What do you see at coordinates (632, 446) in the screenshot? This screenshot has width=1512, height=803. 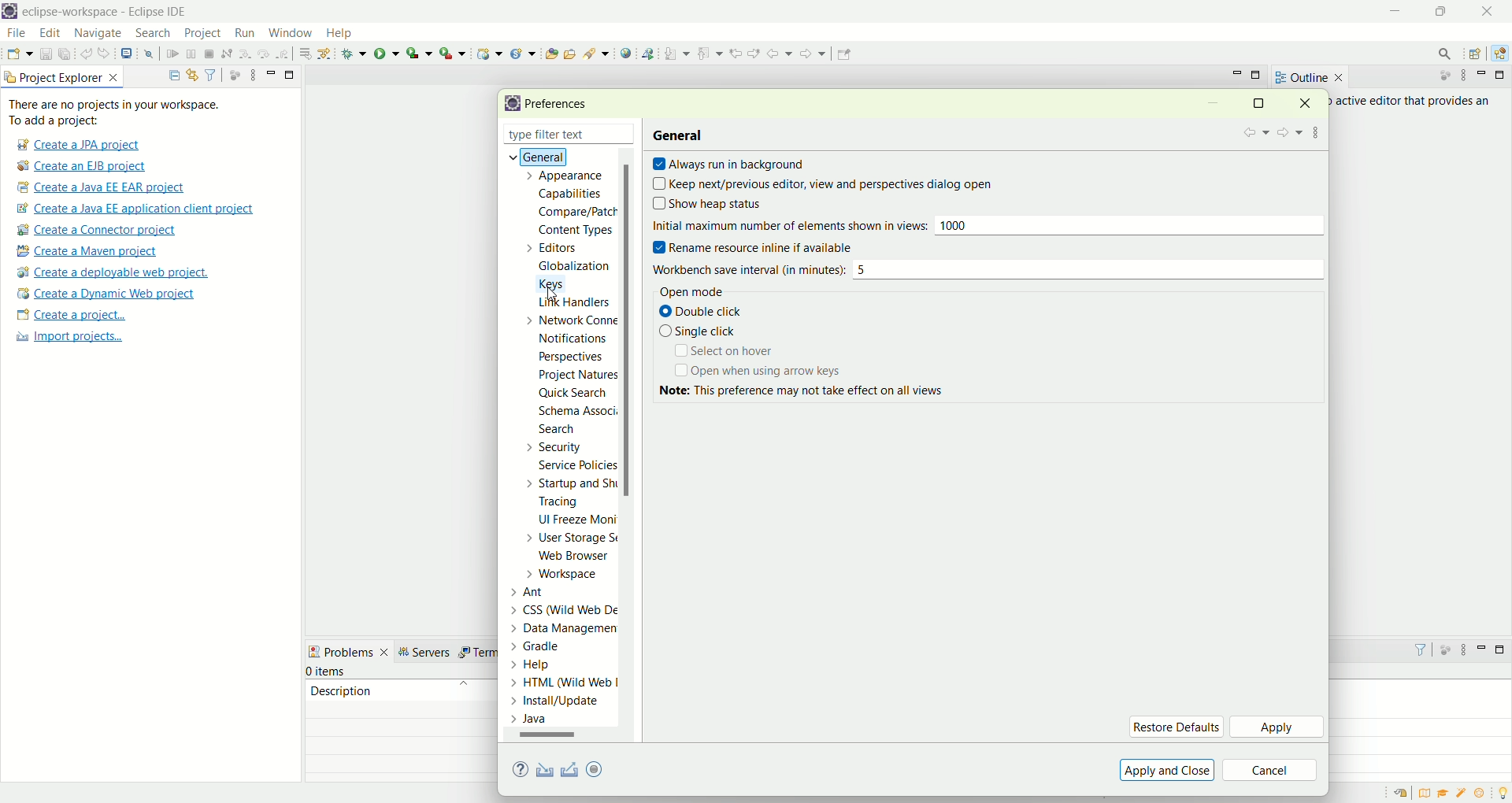 I see `scroll bar` at bounding box center [632, 446].